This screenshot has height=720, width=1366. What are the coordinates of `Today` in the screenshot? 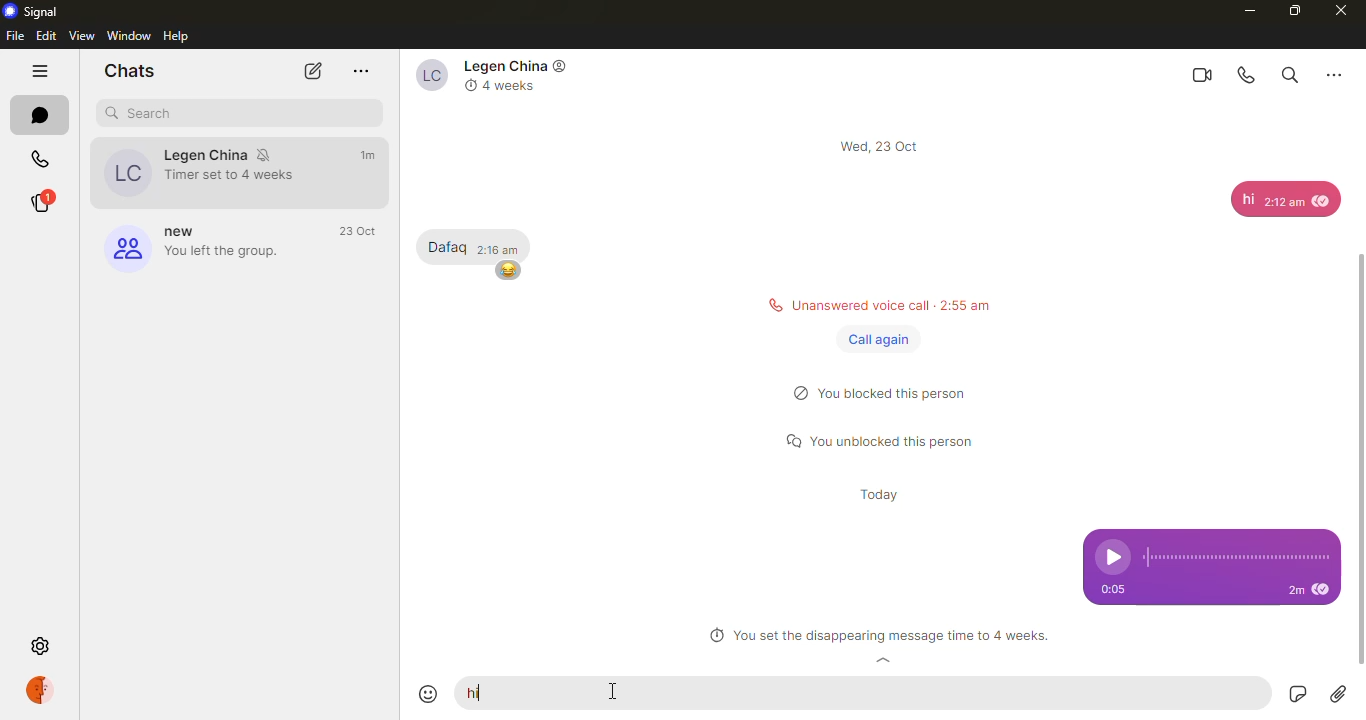 It's located at (882, 497).